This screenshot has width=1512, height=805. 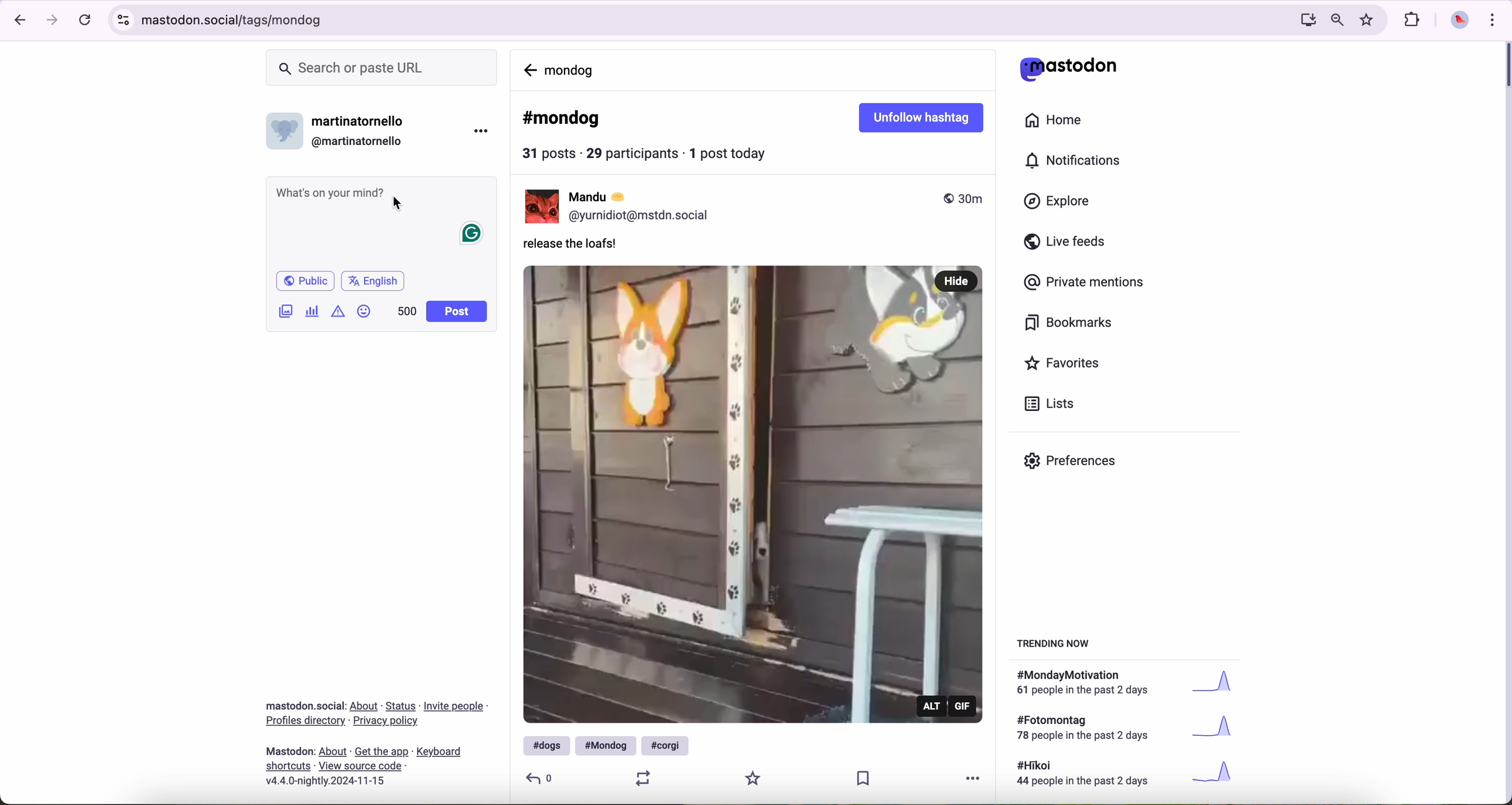 I want to click on search bar, so click(x=384, y=68).